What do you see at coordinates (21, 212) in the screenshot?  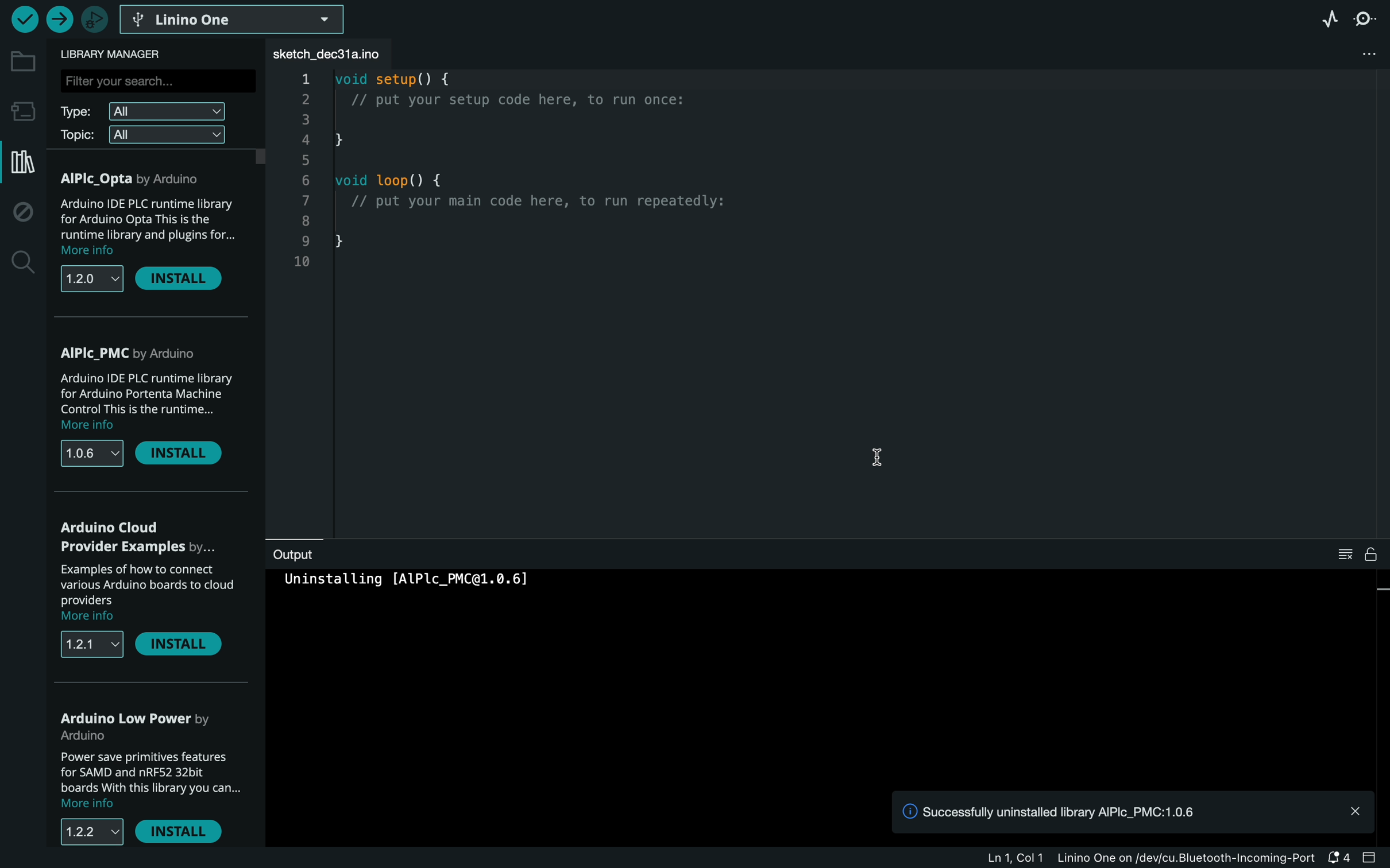 I see `debug` at bounding box center [21, 212].